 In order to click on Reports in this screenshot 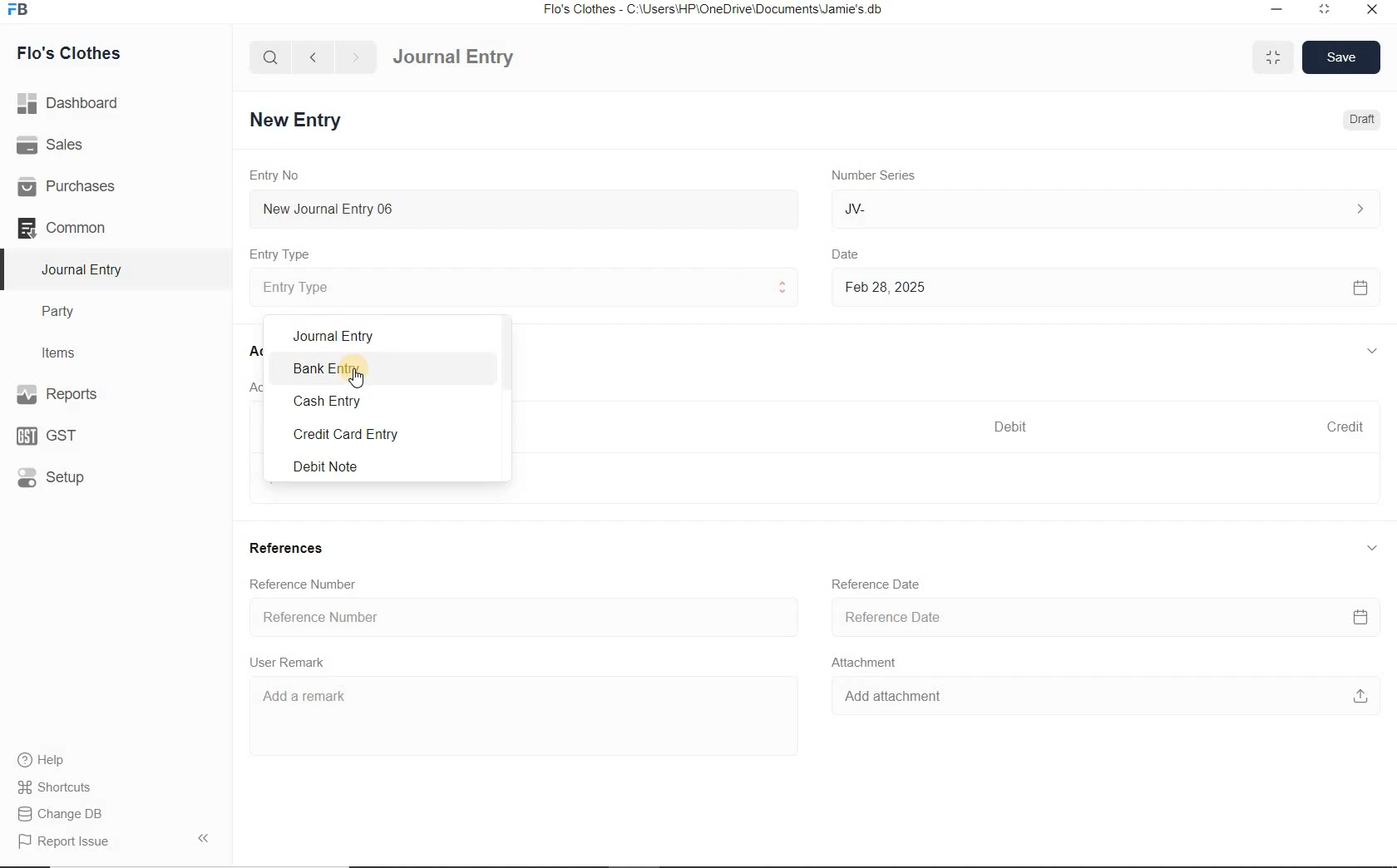, I will do `click(83, 396)`.